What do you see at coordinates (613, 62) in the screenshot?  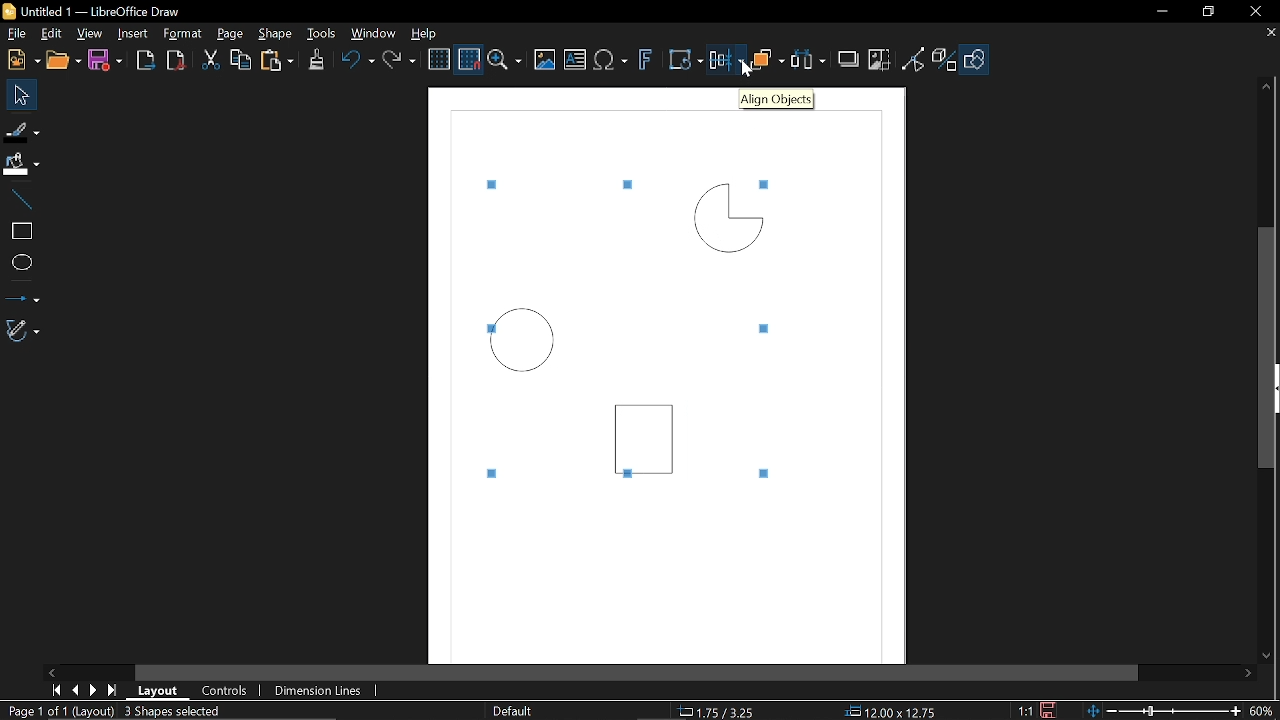 I see `insert equation` at bounding box center [613, 62].